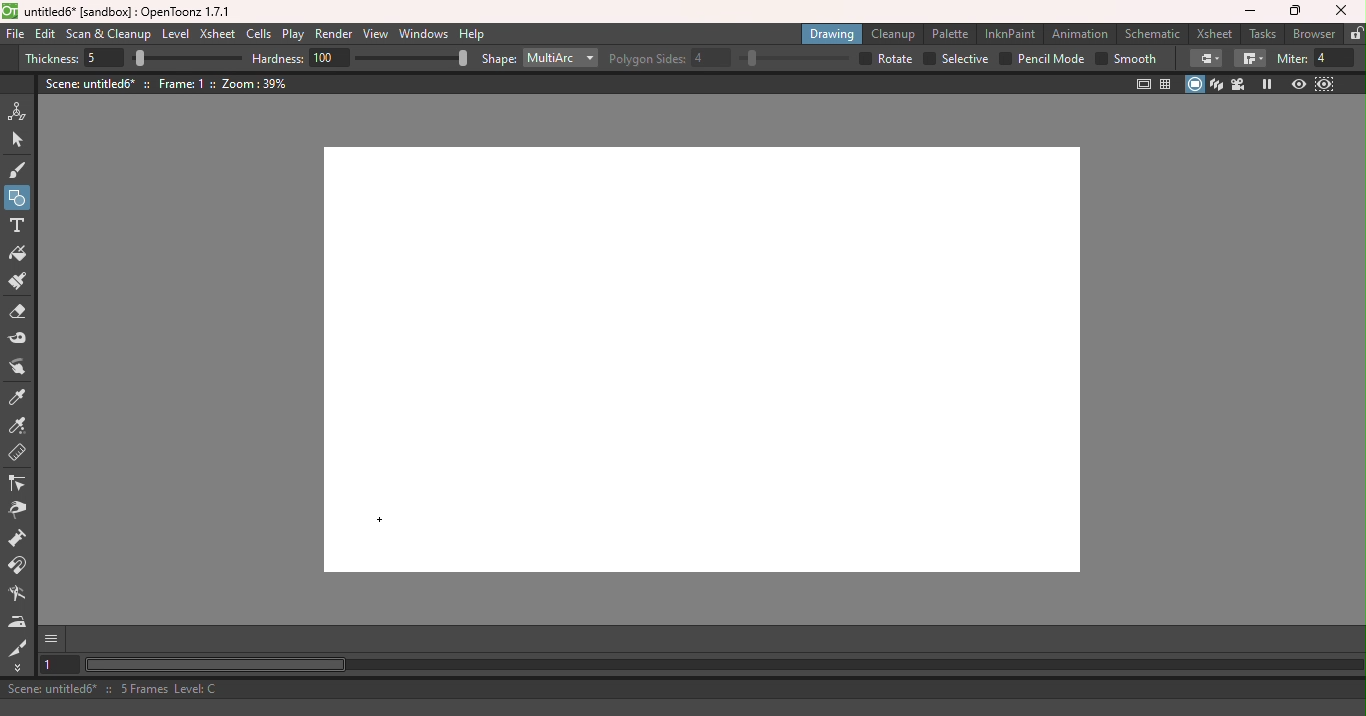 The image size is (1366, 716). I want to click on Set the current frame, so click(59, 666).